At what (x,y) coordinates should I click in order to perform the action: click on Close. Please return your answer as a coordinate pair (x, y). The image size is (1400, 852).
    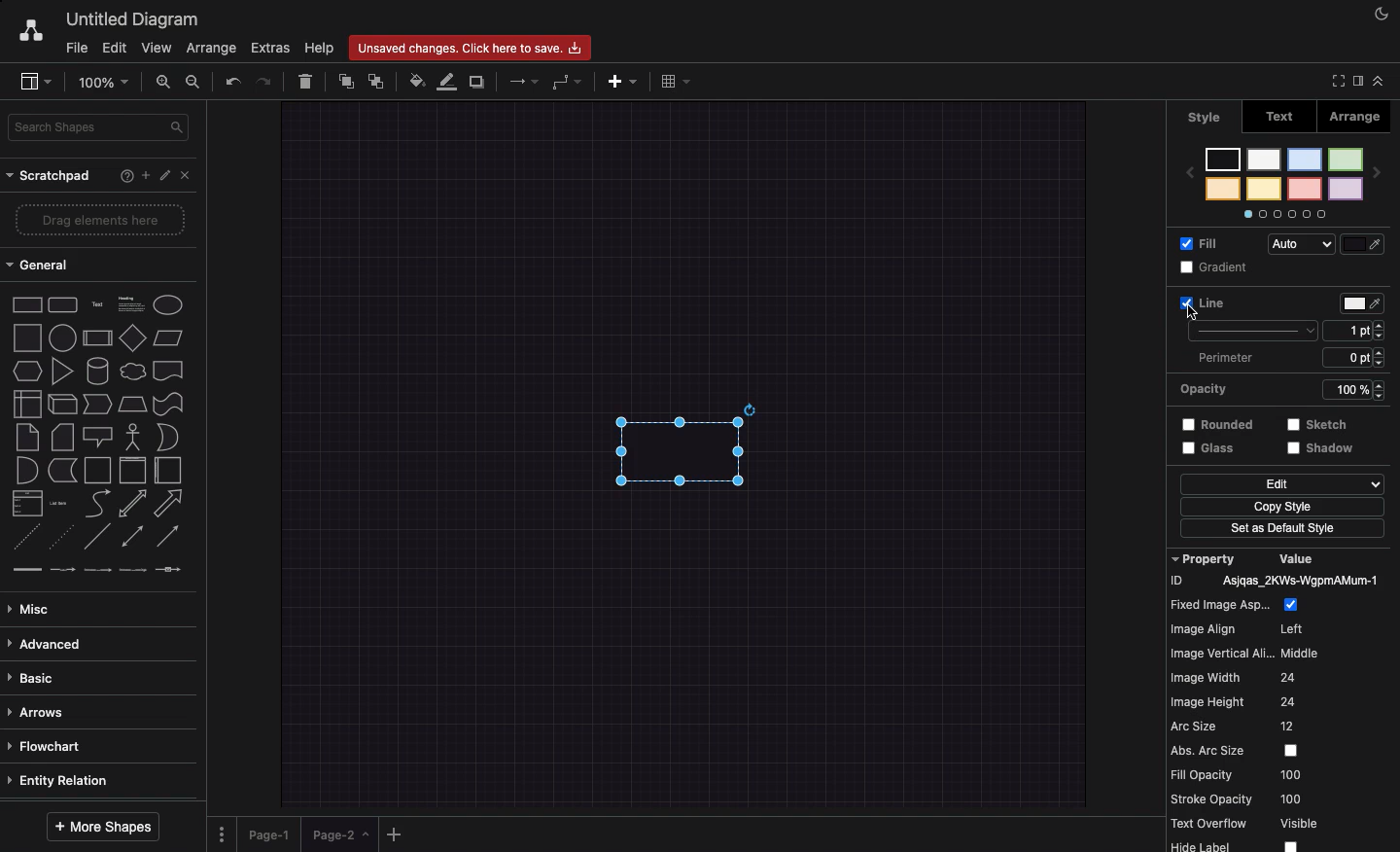
    Looking at the image, I should click on (189, 176).